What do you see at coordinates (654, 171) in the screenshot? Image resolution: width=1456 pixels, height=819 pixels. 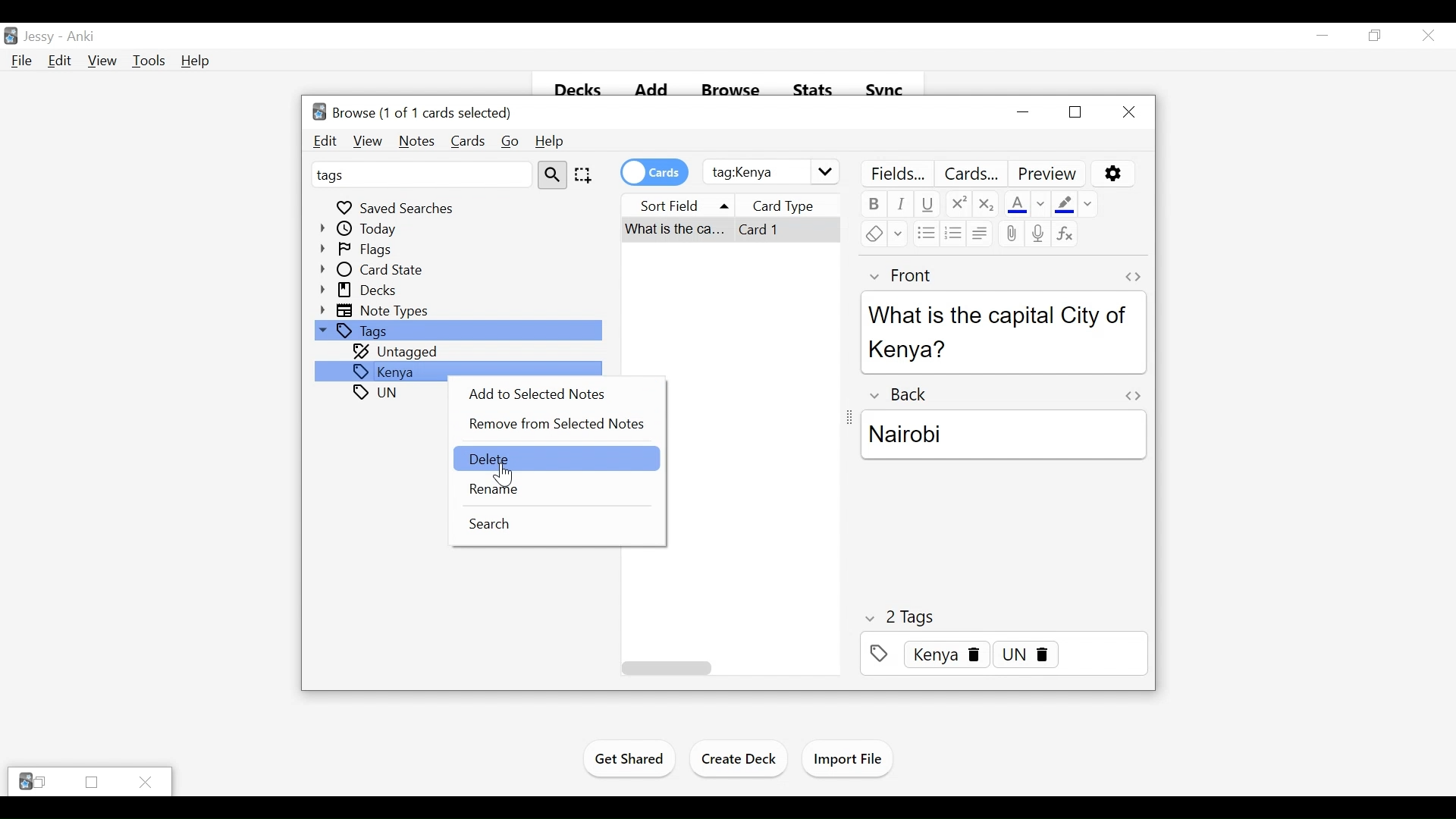 I see `credits` at bounding box center [654, 171].